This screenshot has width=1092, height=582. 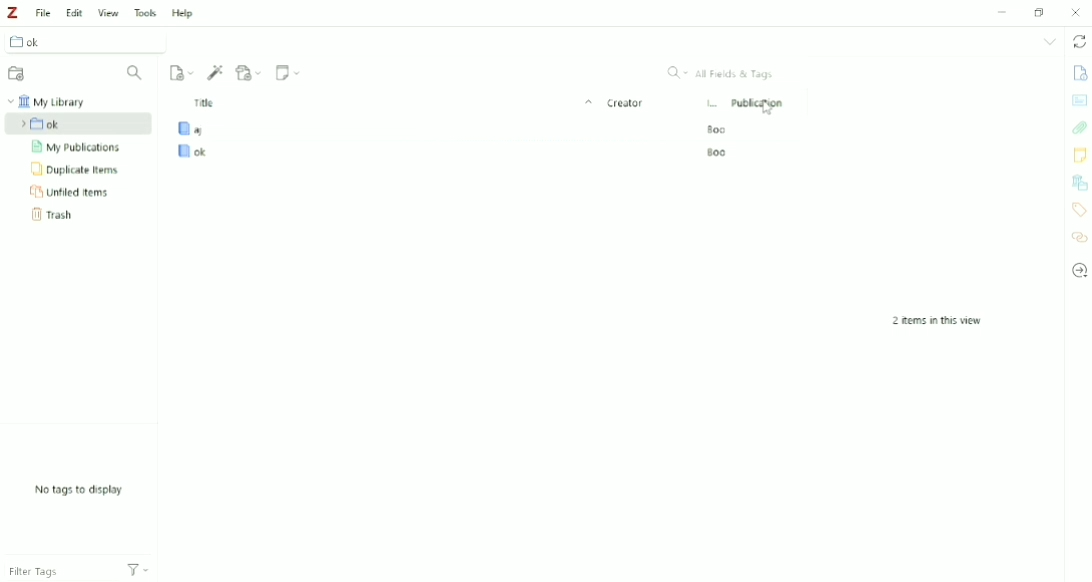 I want to click on Edit, so click(x=75, y=11).